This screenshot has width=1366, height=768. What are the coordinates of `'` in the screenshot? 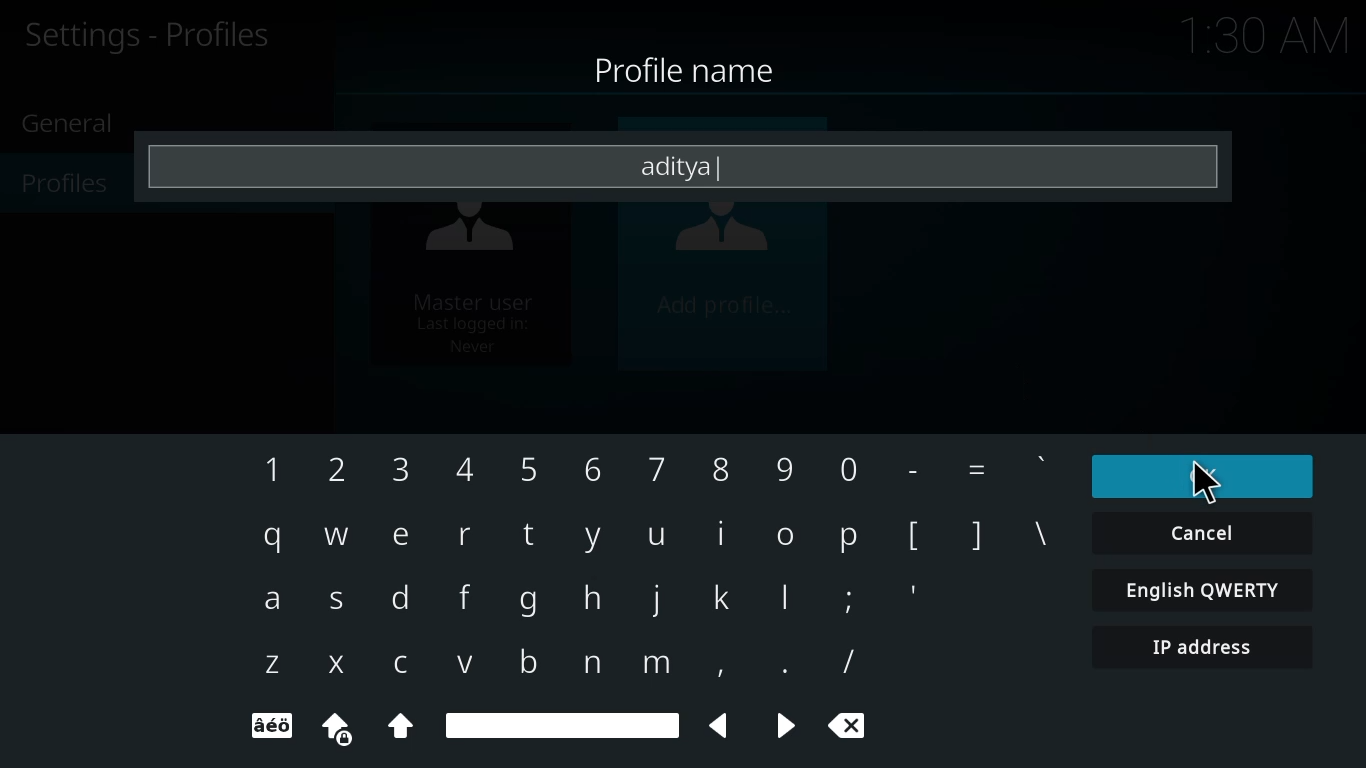 It's located at (1033, 465).